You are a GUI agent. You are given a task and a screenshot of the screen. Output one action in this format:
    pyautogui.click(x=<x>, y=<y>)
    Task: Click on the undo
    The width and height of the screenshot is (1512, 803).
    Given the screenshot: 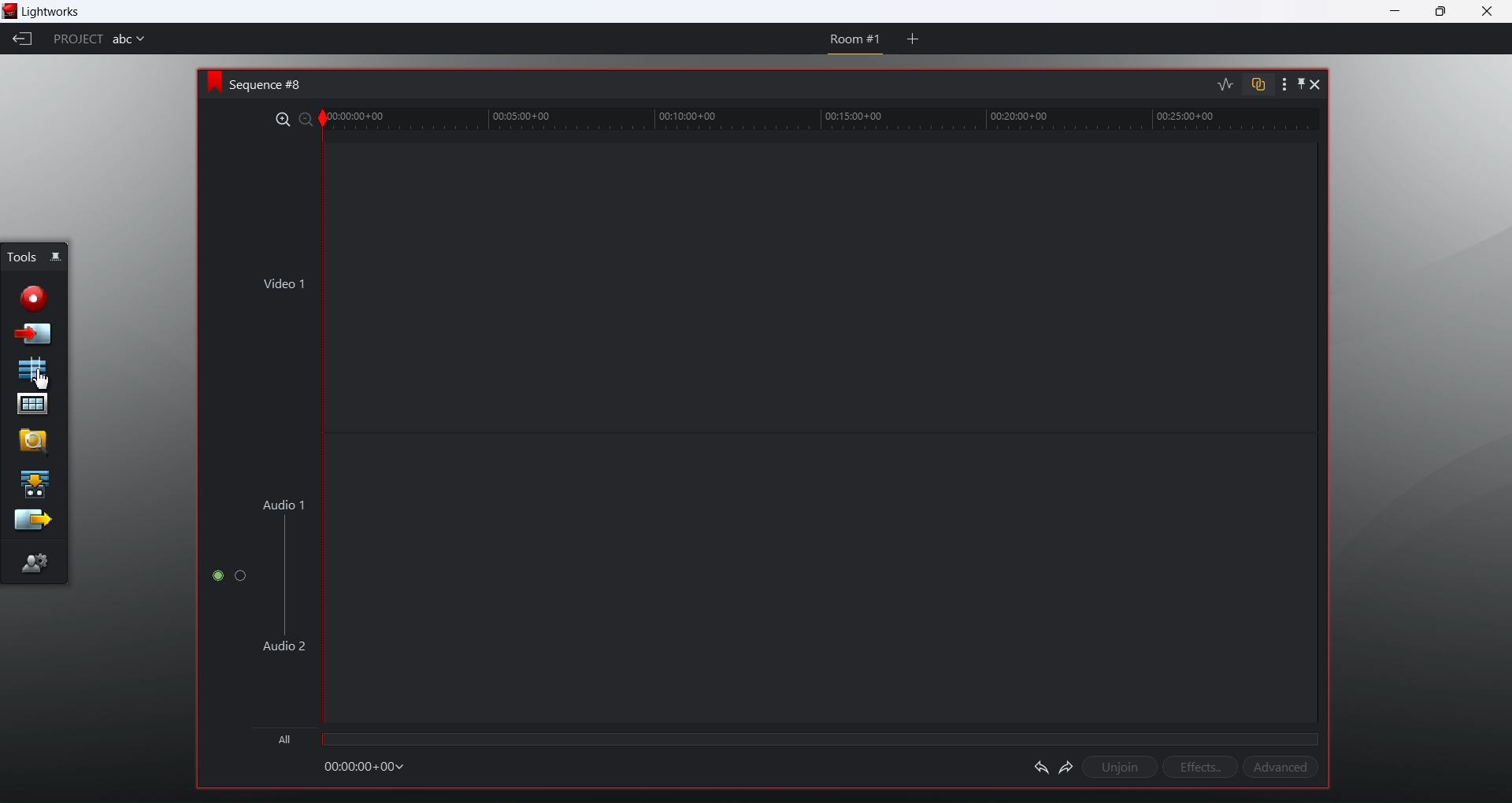 What is the action you would take?
    pyautogui.click(x=1037, y=765)
    